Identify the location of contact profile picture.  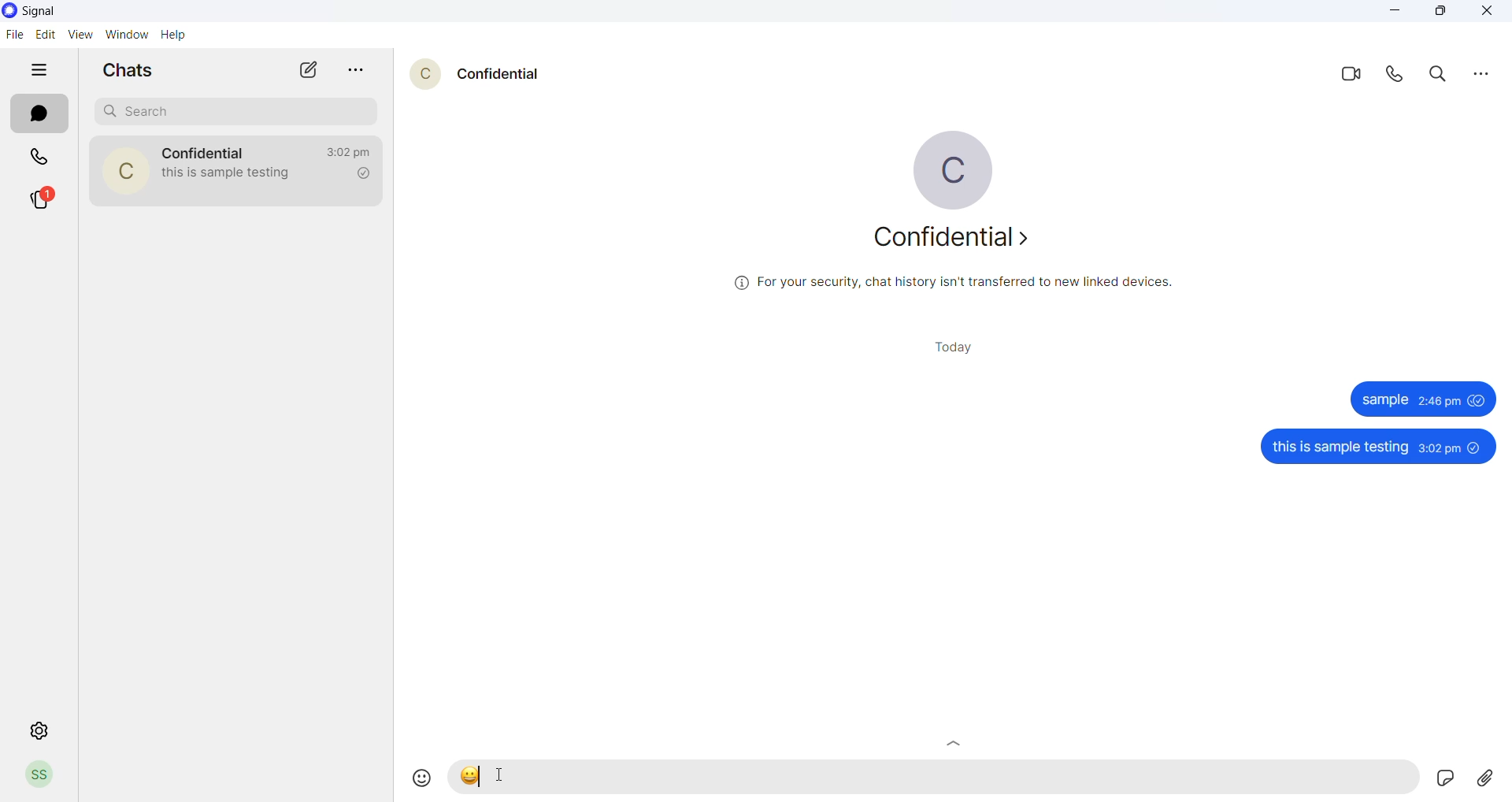
(418, 75).